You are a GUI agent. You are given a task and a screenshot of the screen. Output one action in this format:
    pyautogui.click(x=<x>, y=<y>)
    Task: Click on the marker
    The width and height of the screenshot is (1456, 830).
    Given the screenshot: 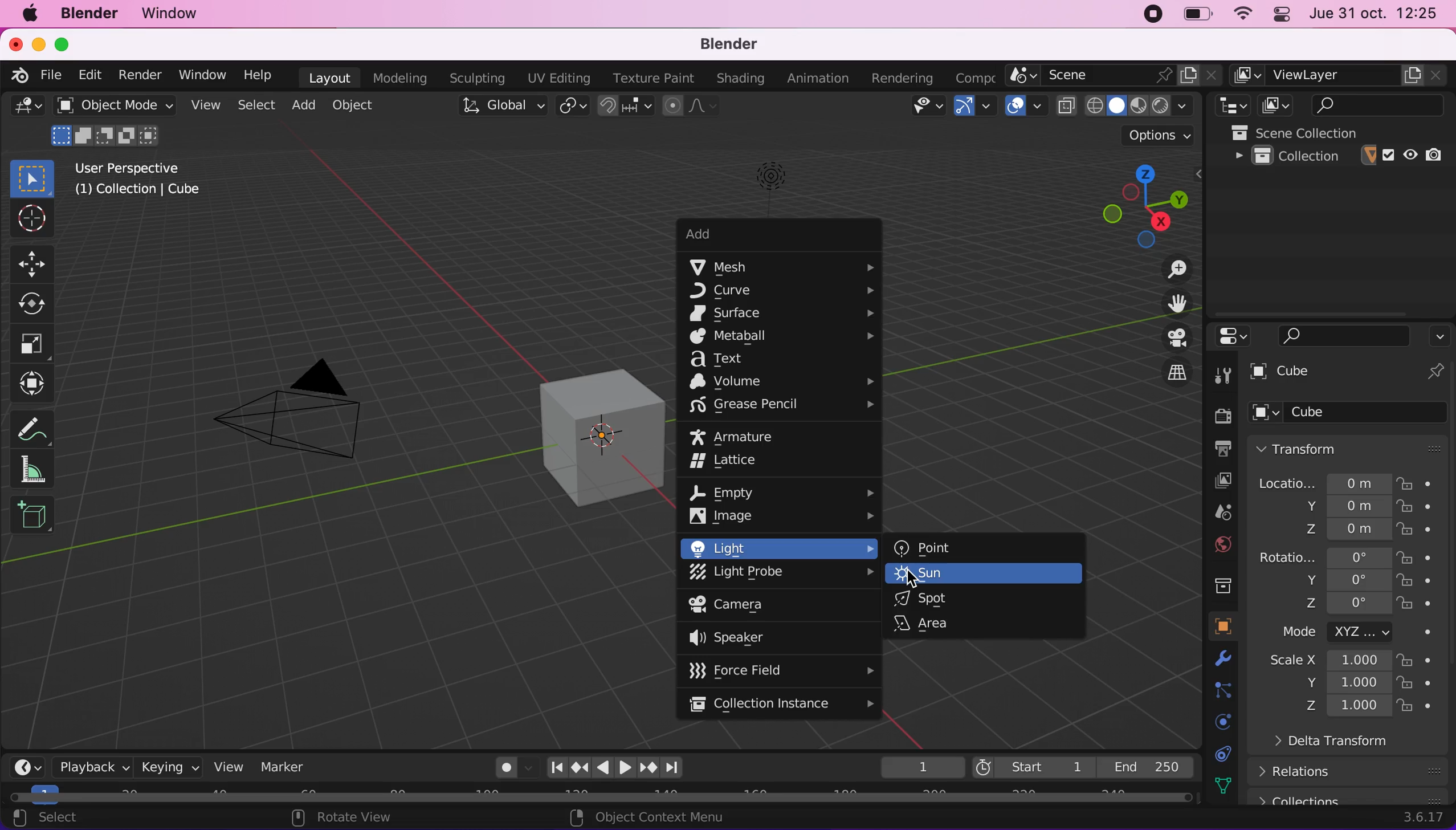 What is the action you would take?
    pyautogui.click(x=288, y=766)
    